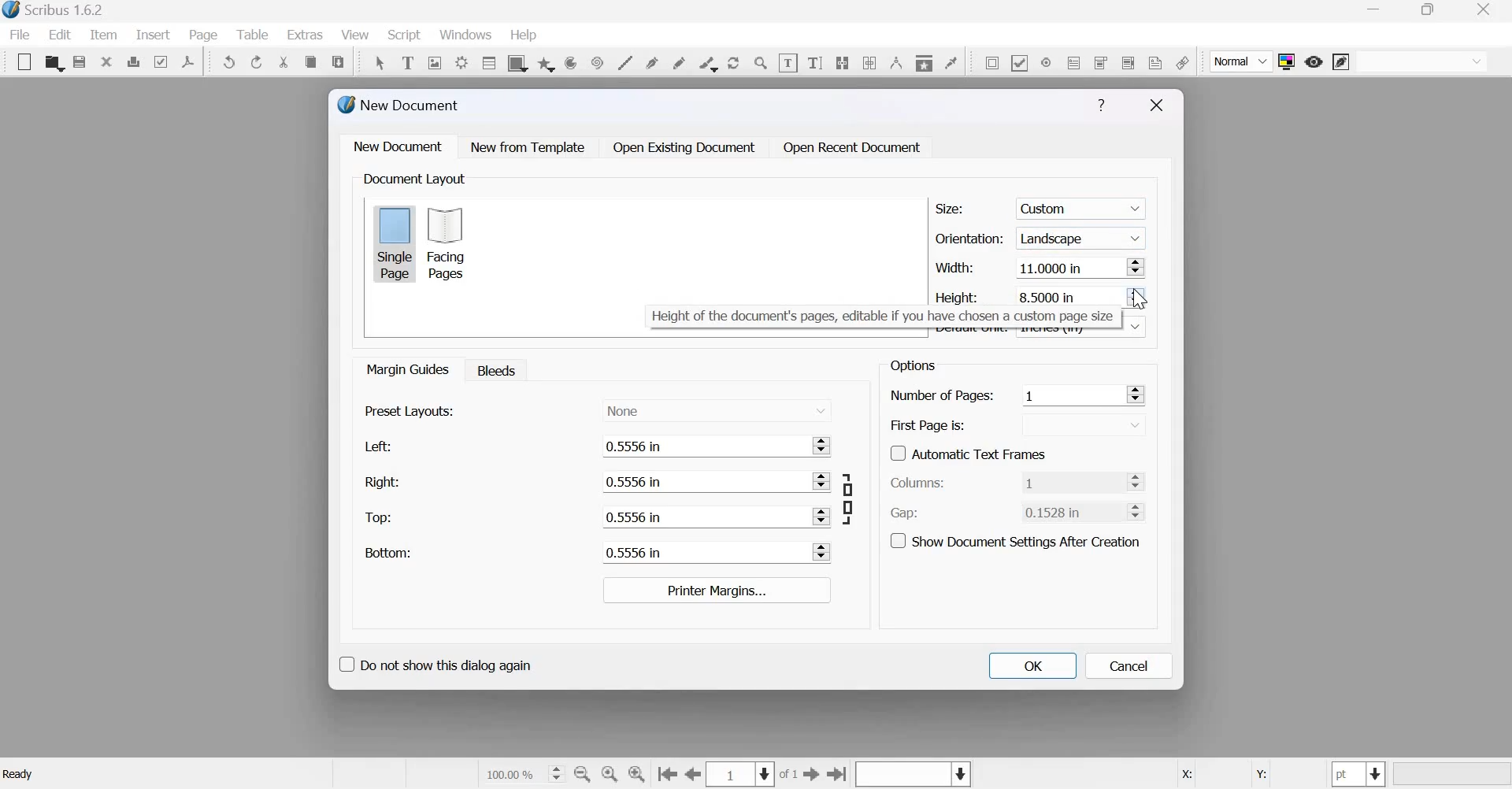 The image size is (1512, 789). Describe the element at coordinates (951, 61) in the screenshot. I see `Eye dropper` at that location.